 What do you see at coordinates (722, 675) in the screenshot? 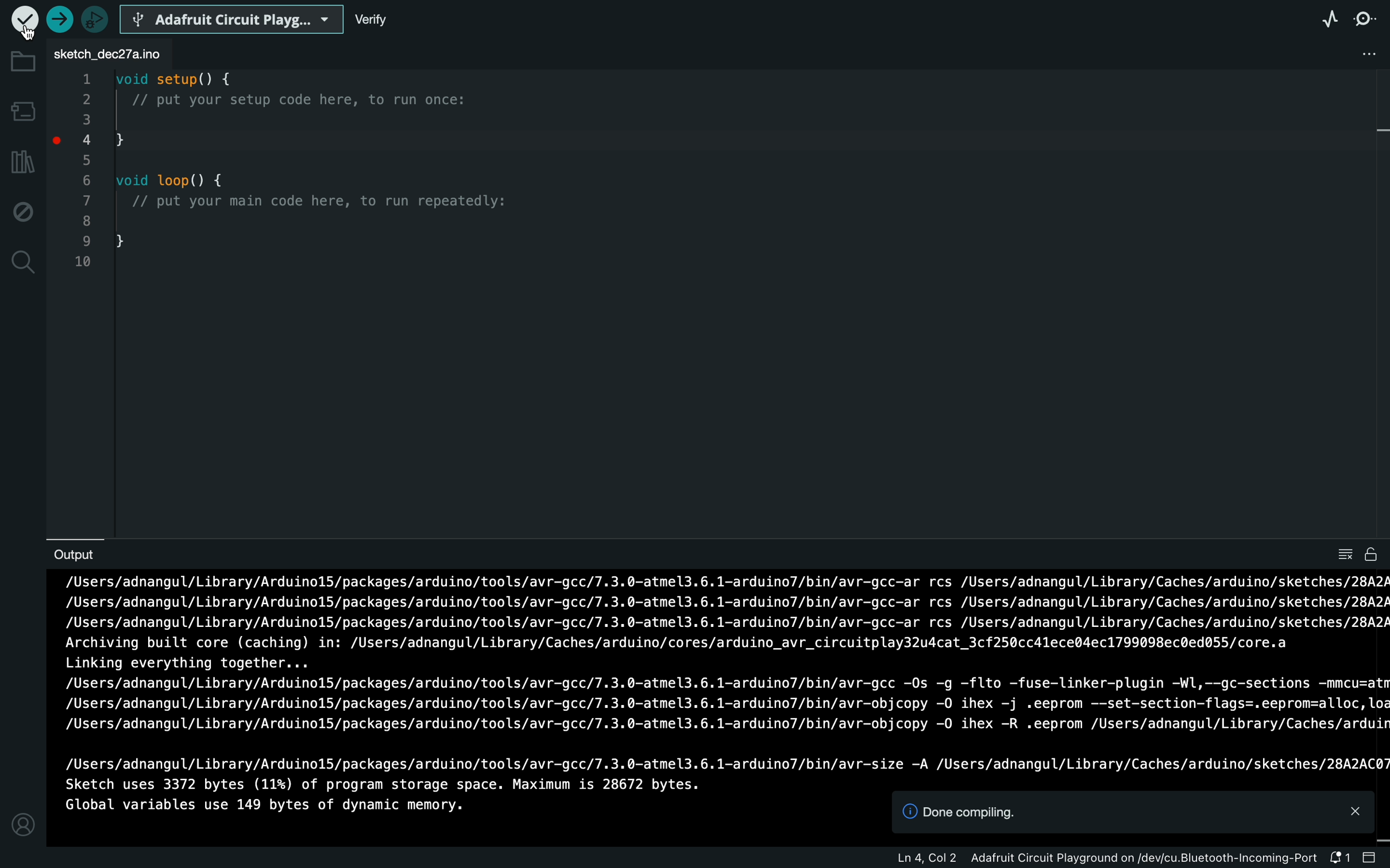
I see `compiling process` at bounding box center [722, 675].